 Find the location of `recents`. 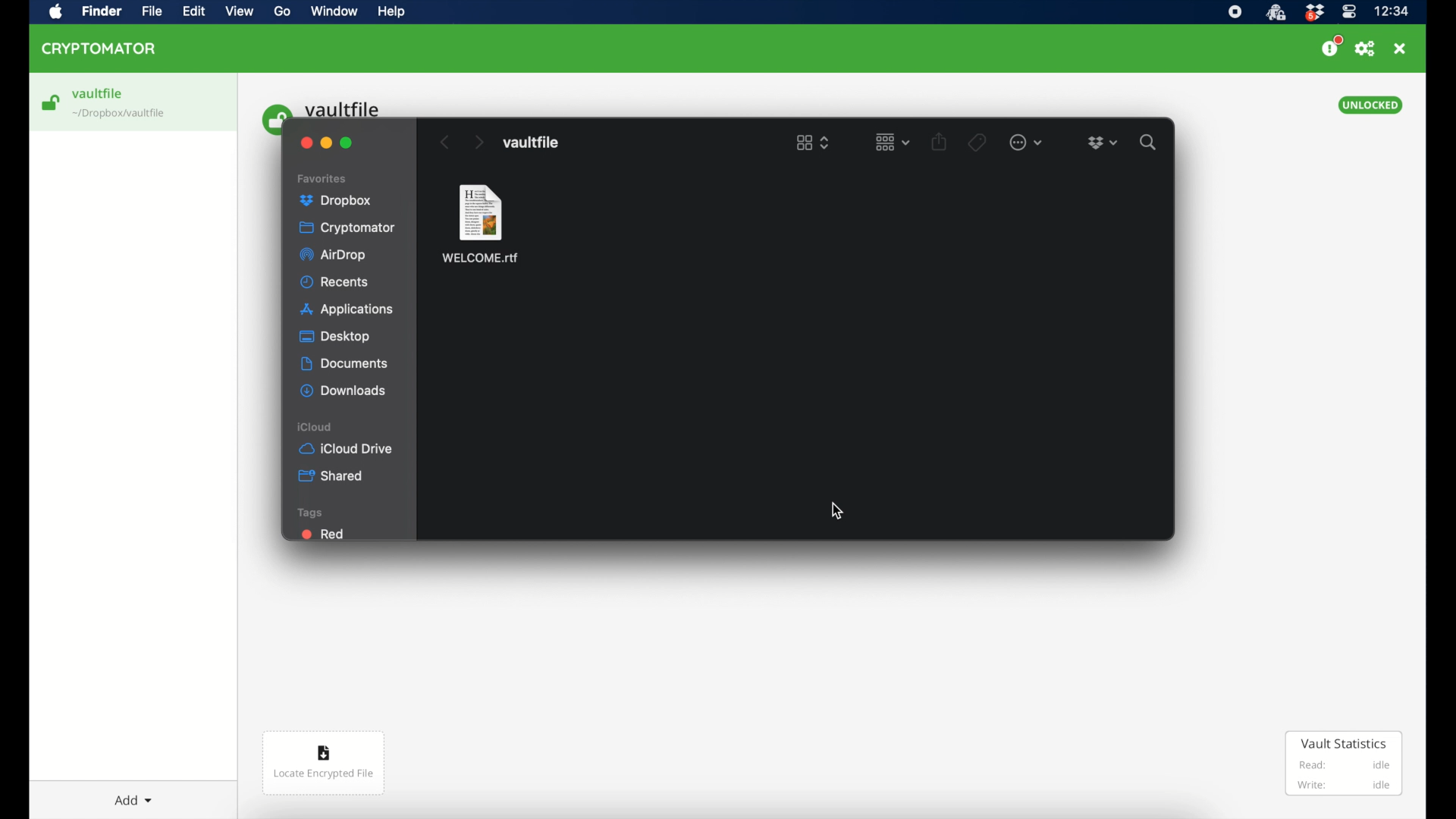

recents is located at coordinates (335, 281).